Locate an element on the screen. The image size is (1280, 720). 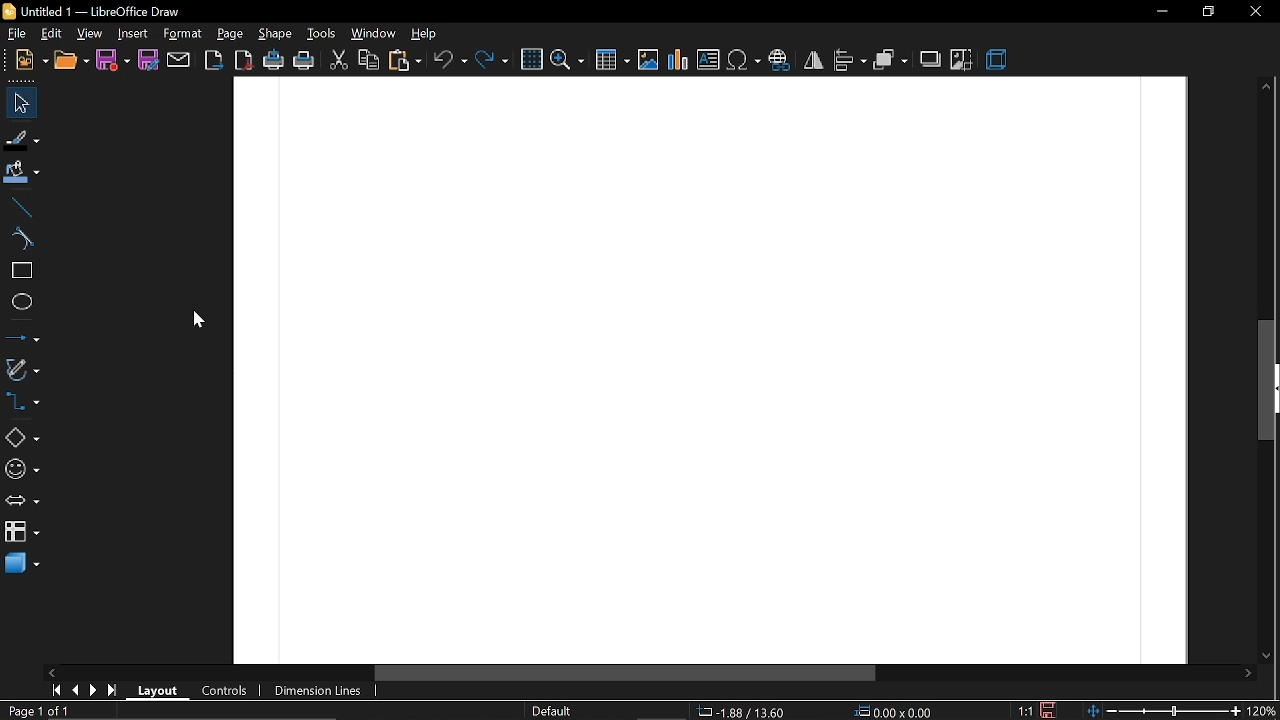
go to last page is located at coordinates (112, 692).